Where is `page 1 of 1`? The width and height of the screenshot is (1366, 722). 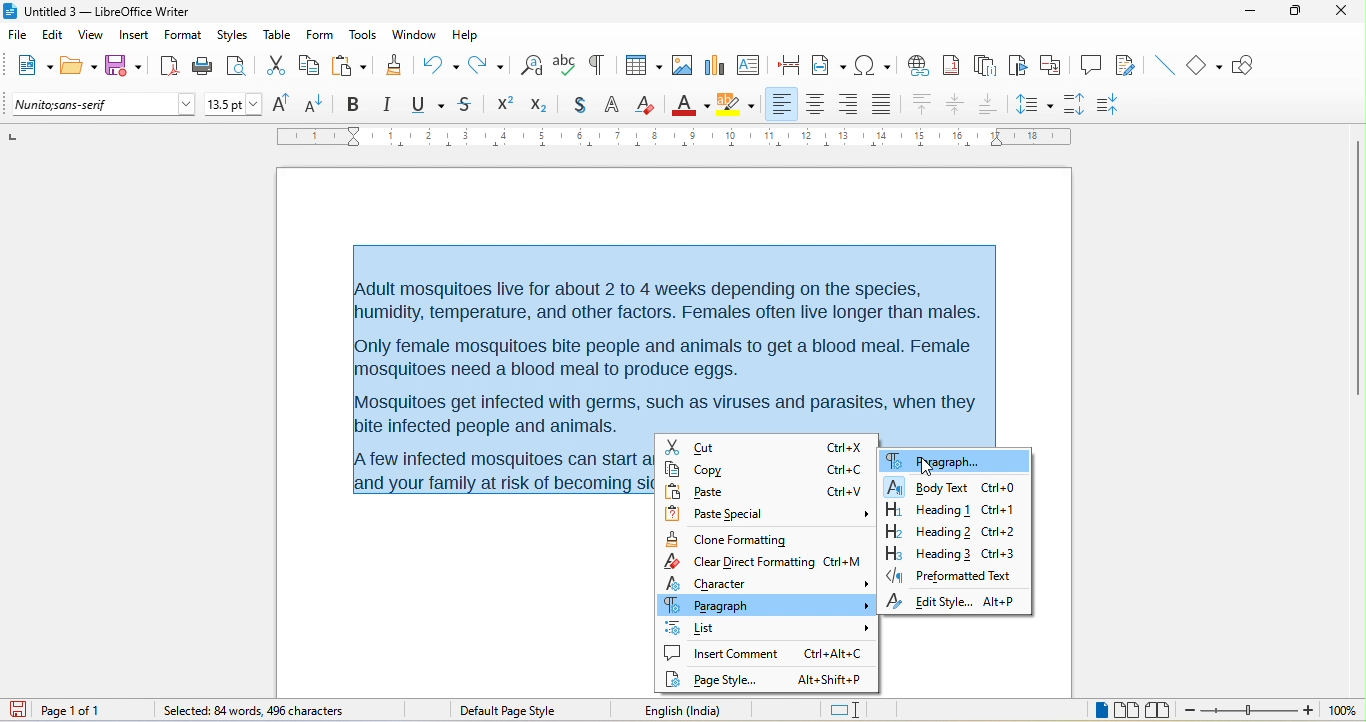
page 1 of 1 is located at coordinates (87, 710).